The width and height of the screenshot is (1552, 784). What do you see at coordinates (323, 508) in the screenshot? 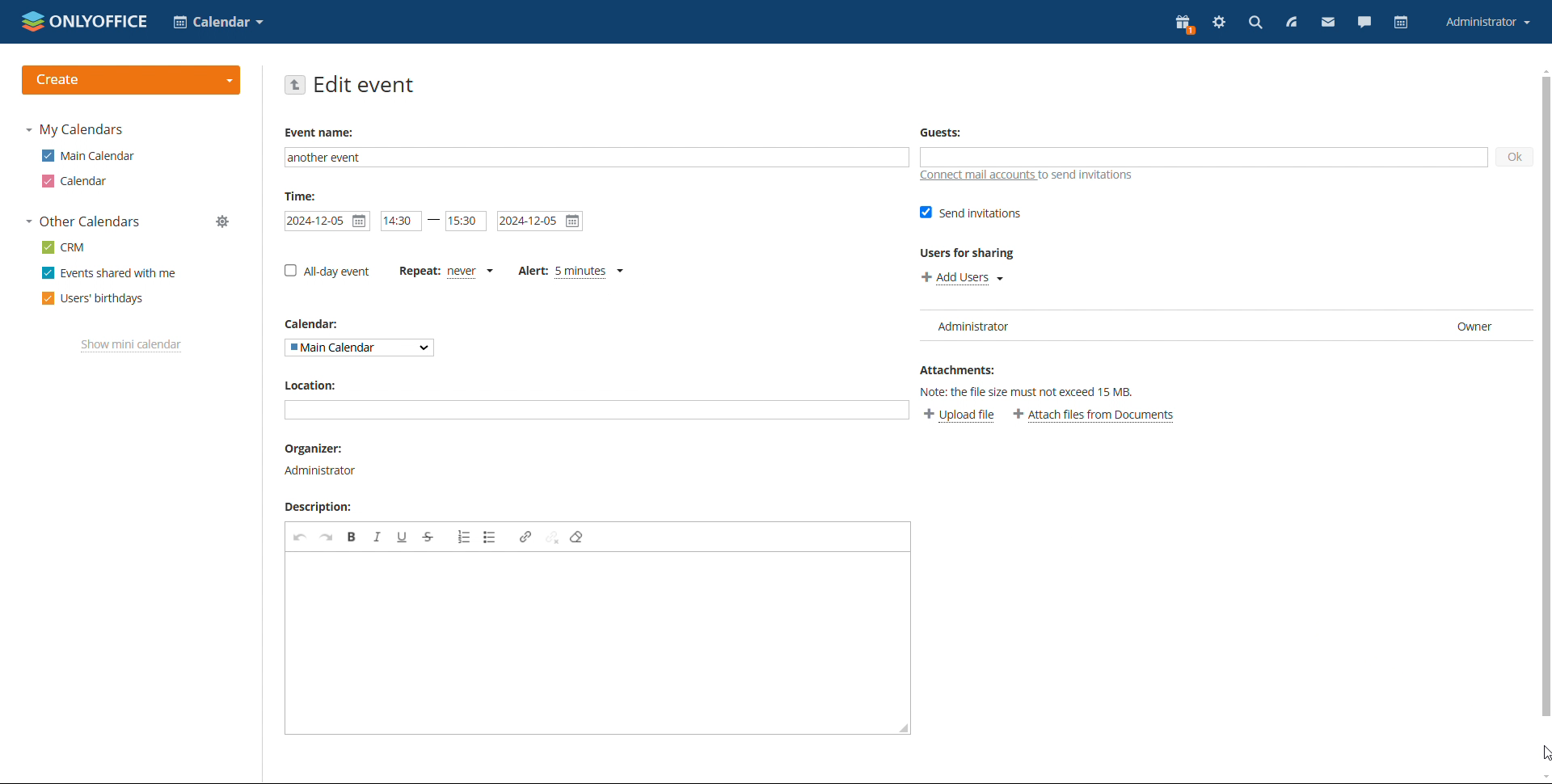
I see `description` at bounding box center [323, 508].